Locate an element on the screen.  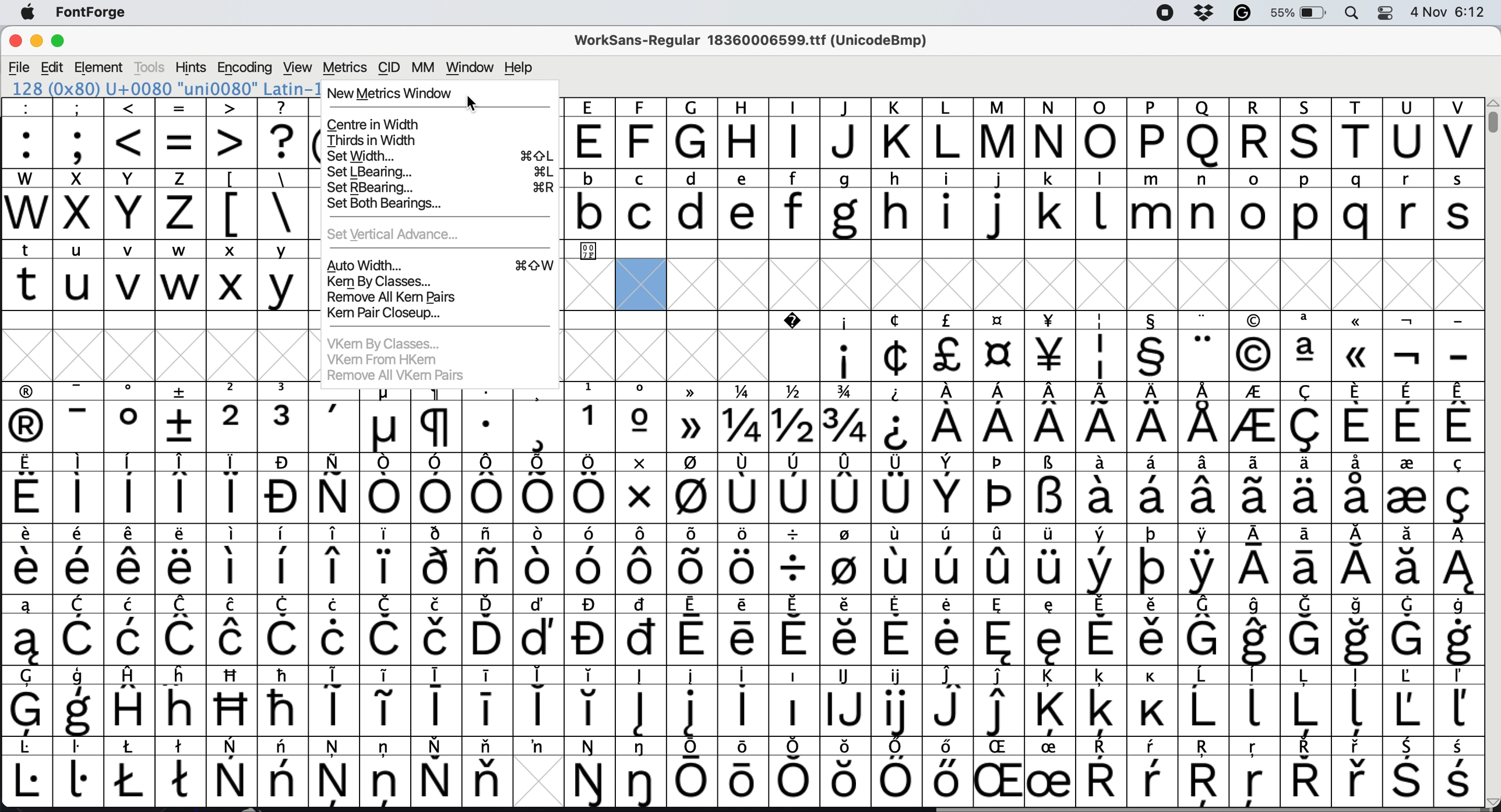
cursor is located at coordinates (475, 104).